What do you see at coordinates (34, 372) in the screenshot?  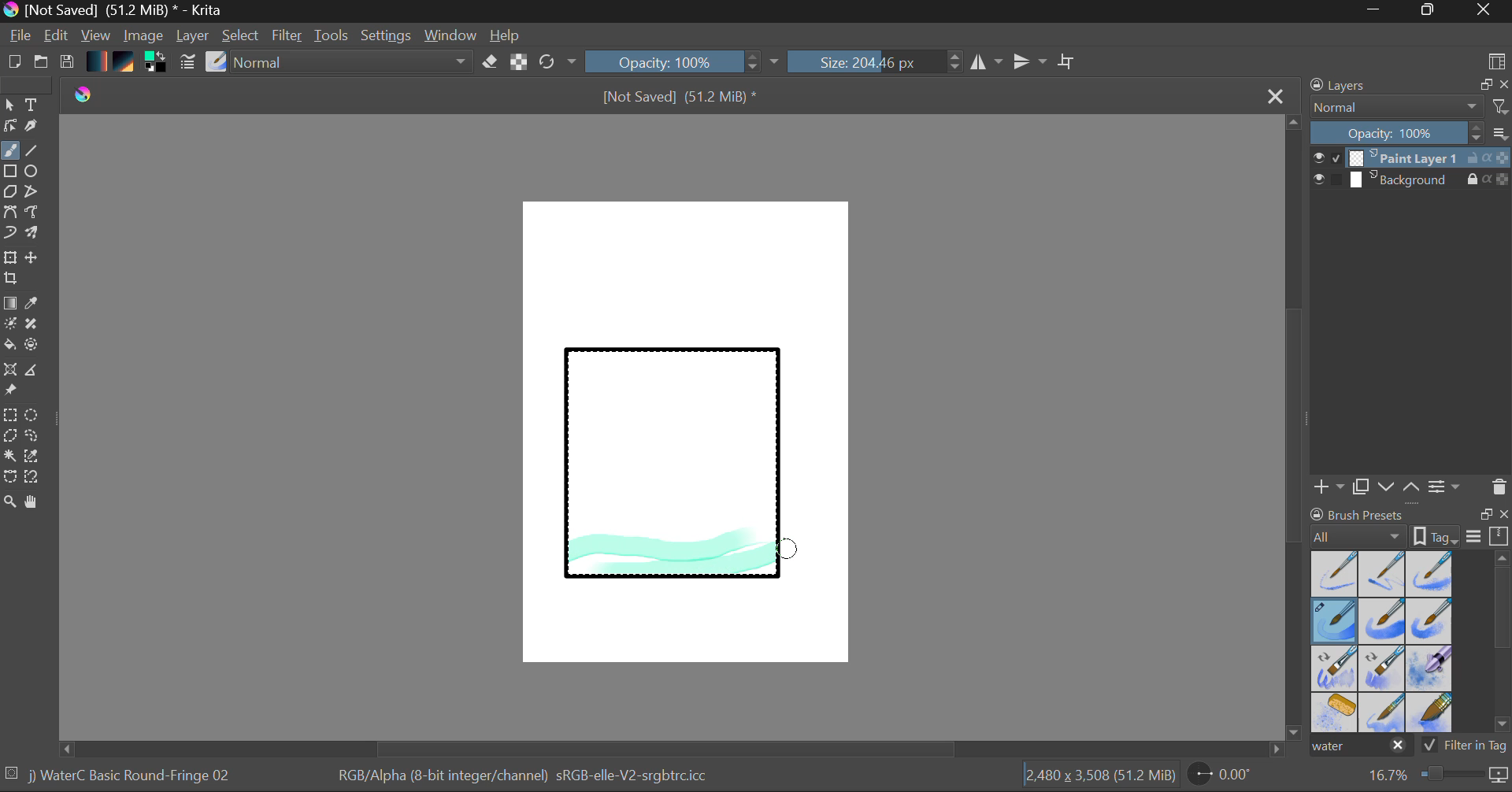 I see `Measurements` at bounding box center [34, 372].